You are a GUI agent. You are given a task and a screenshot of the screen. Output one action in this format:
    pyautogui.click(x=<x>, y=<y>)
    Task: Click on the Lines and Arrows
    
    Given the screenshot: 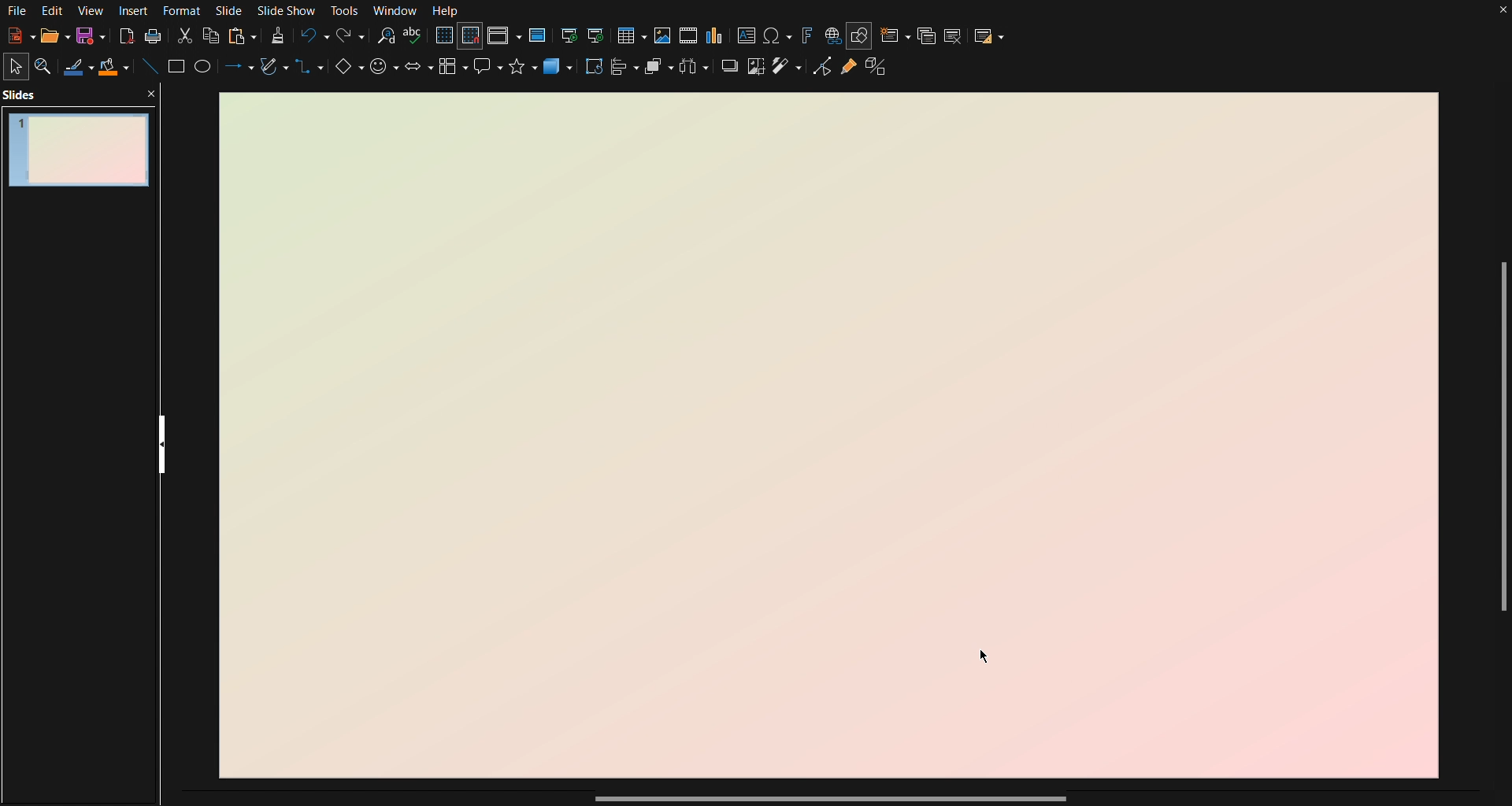 What is the action you would take?
    pyautogui.click(x=235, y=70)
    